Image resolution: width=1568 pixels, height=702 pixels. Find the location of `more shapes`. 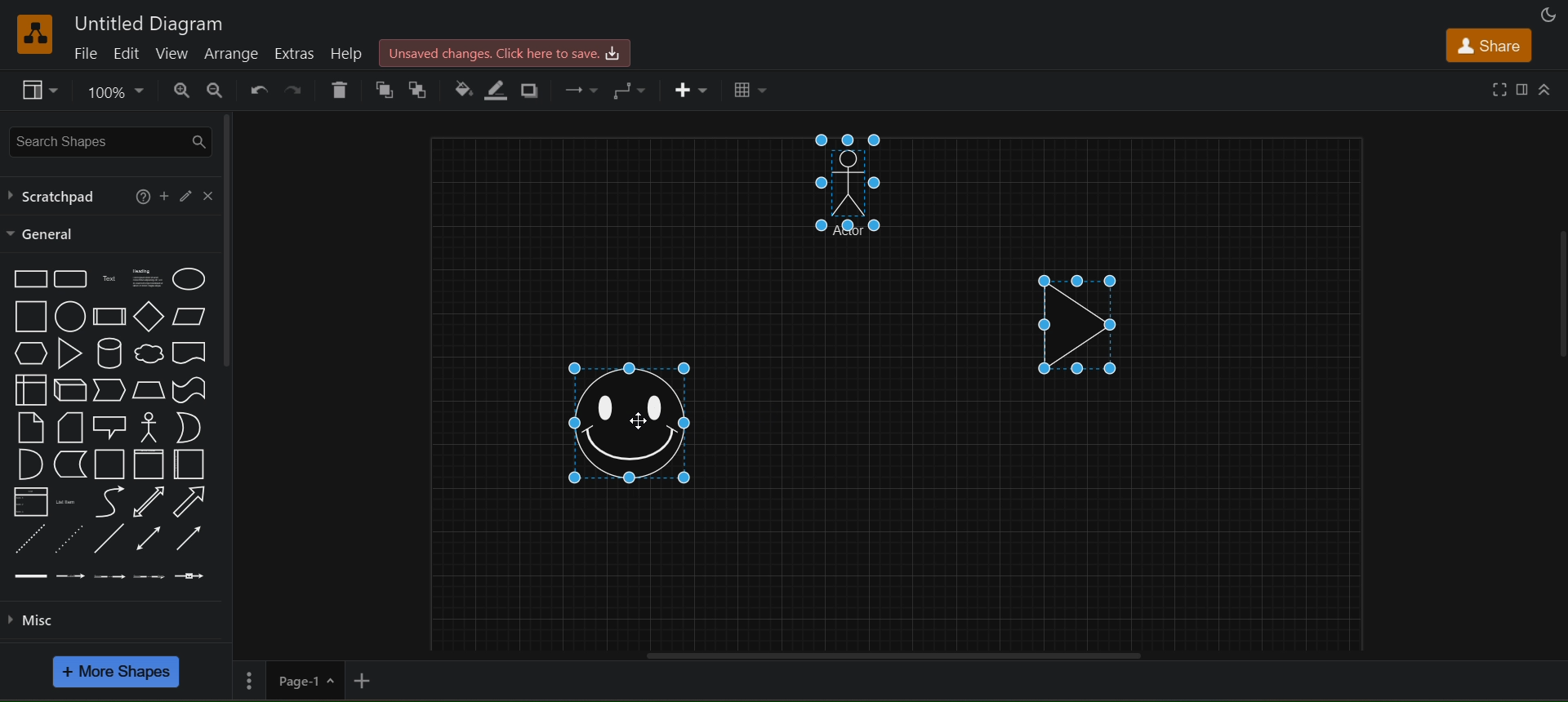

more shapes is located at coordinates (118, 673).